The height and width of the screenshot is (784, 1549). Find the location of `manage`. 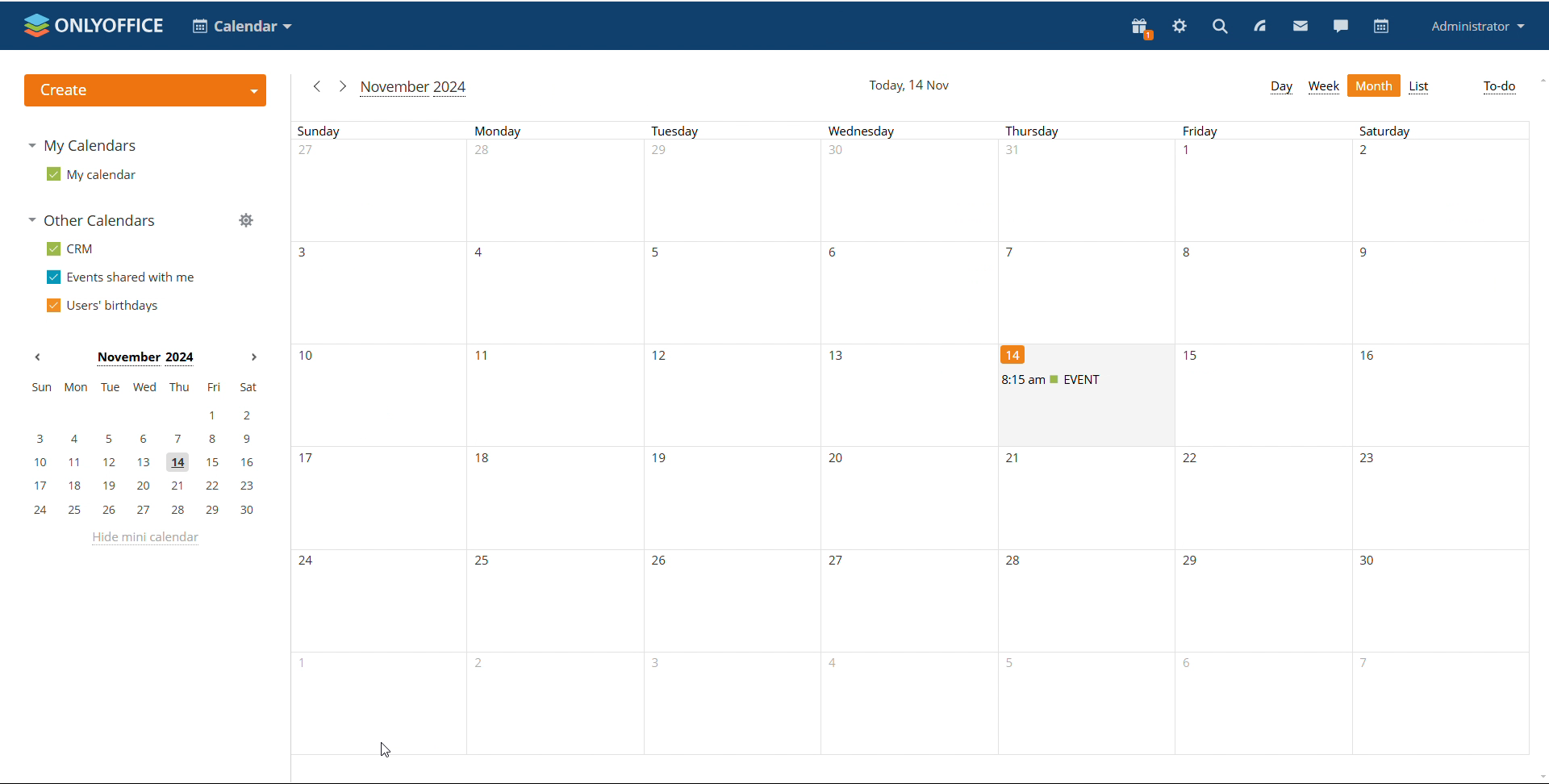

manage is located at coordinates (246, 220).